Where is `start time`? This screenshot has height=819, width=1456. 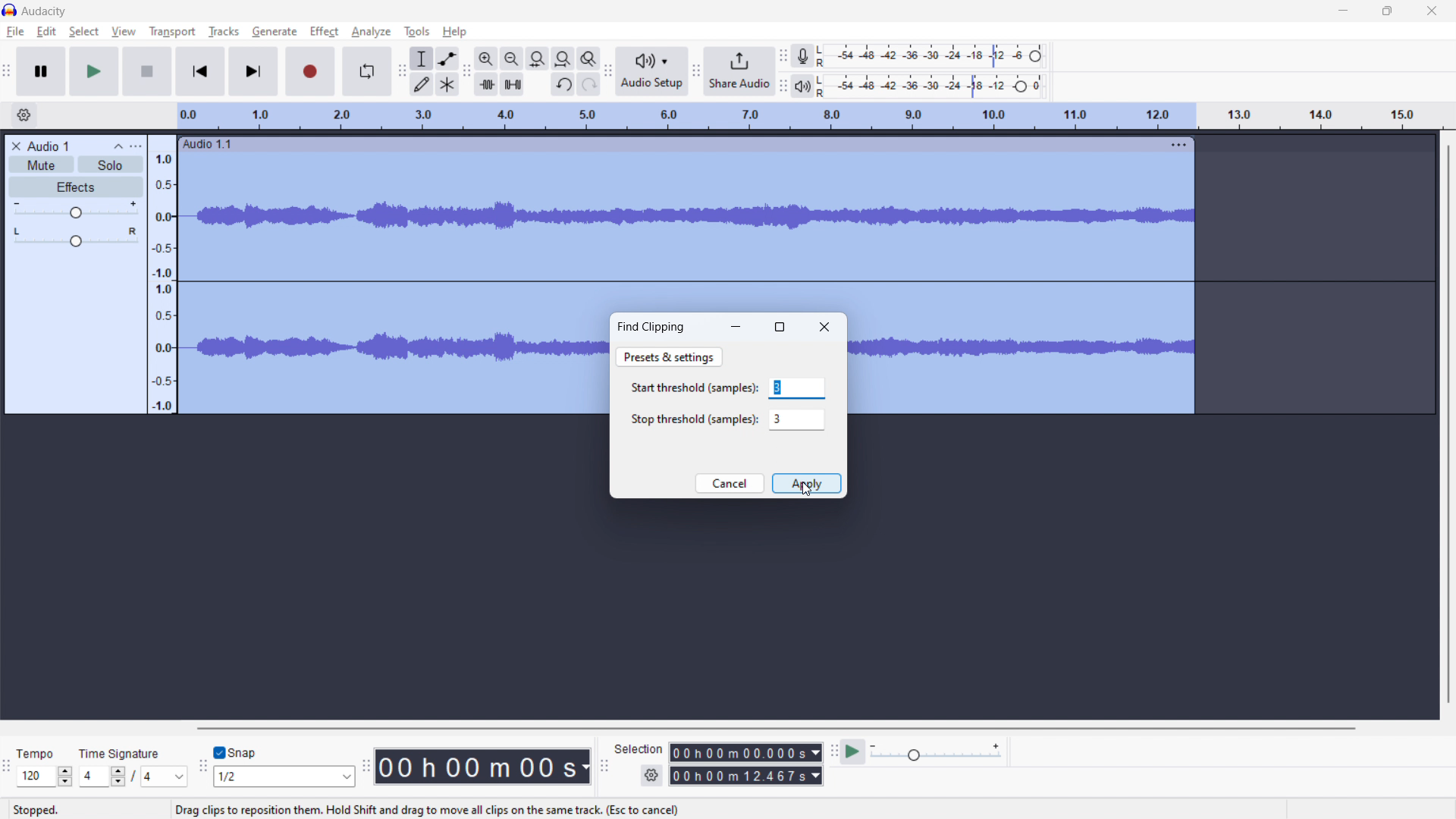 start time is located at coordinates (745, 752).